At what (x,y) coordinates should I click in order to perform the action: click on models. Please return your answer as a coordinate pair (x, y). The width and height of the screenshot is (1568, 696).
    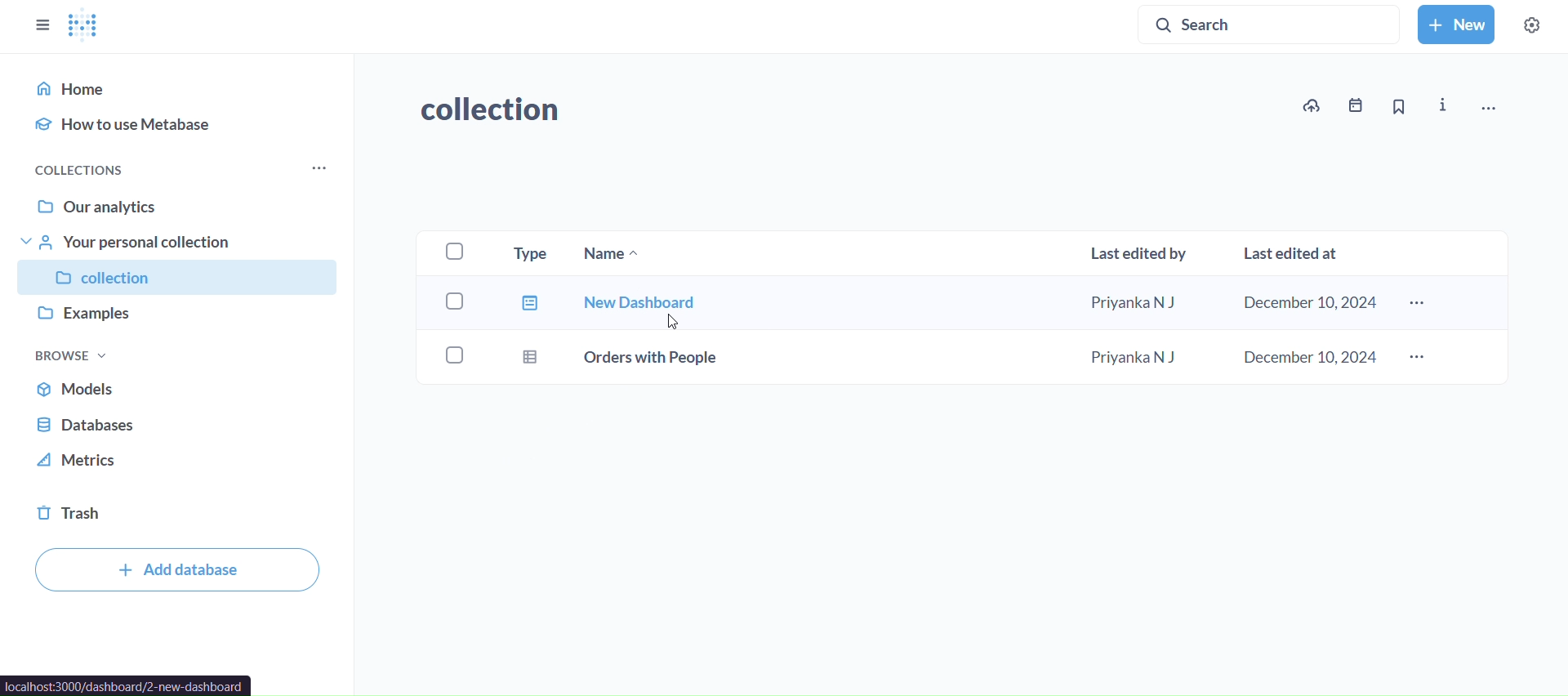
    Looking at the image, I should click on (189, 388).